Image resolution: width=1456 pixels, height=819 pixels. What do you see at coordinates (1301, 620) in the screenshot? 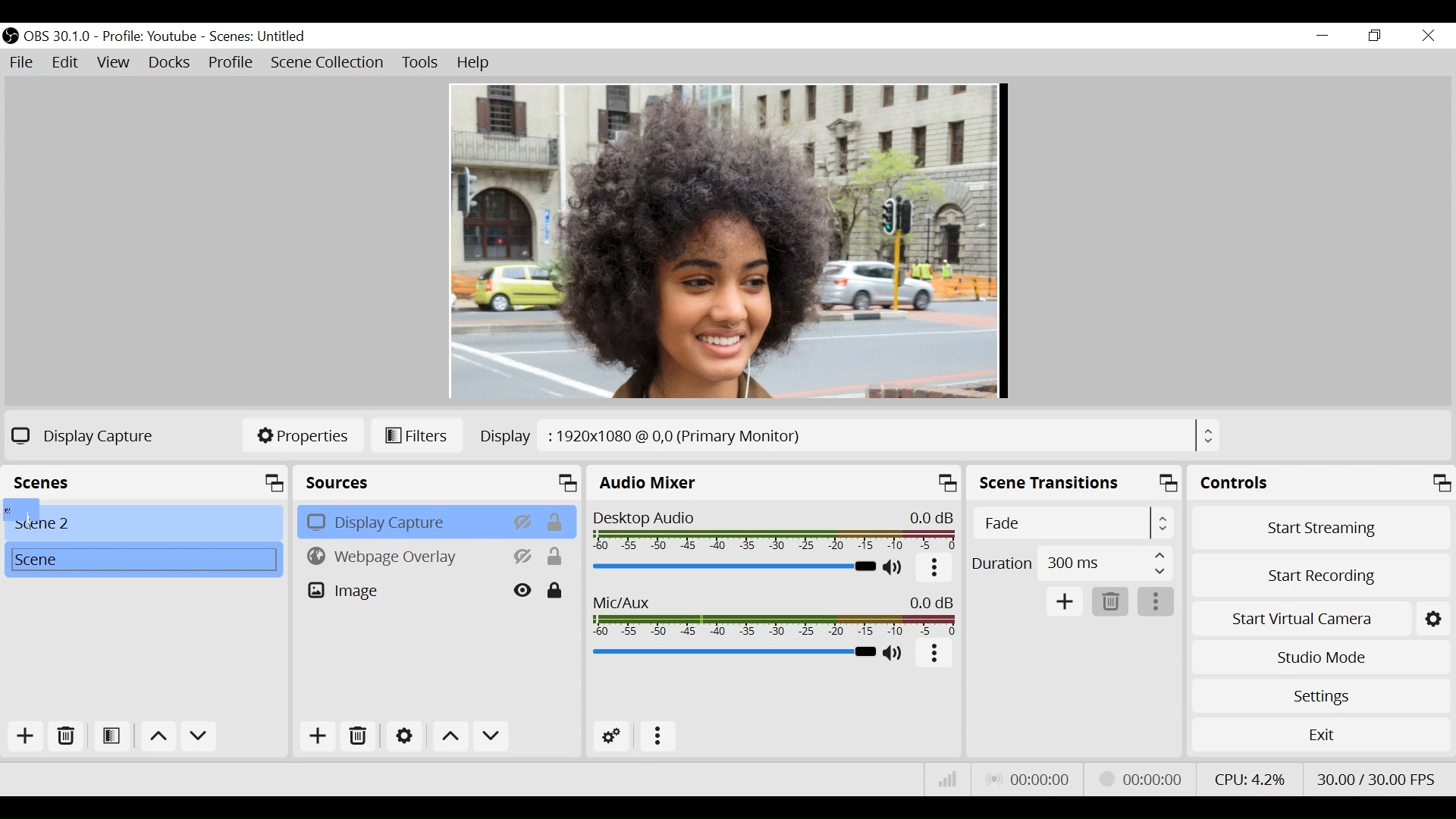
I see `Start Virtual Camera` at bounding box center [1301, 620].